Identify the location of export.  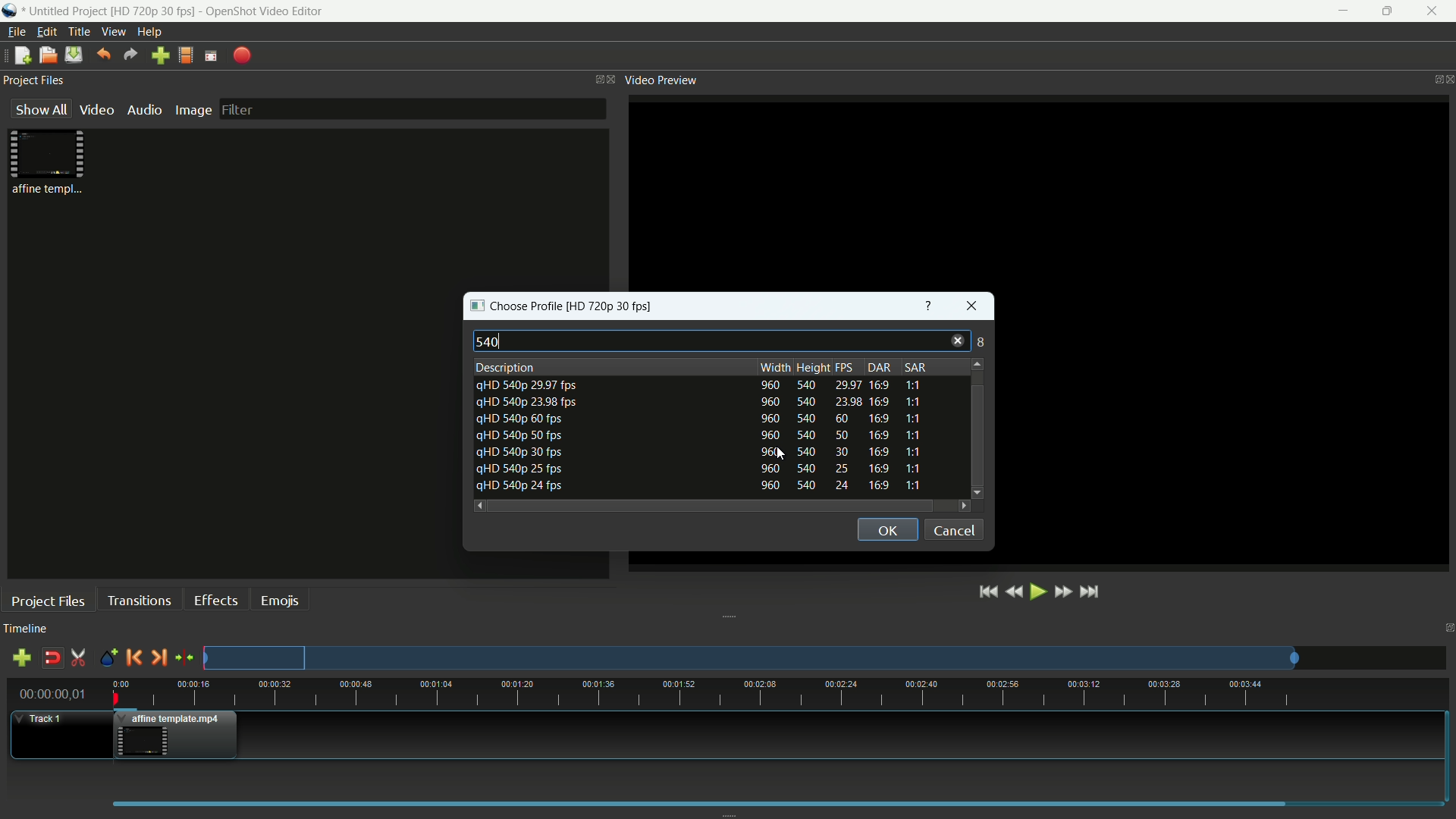
(241, 56).